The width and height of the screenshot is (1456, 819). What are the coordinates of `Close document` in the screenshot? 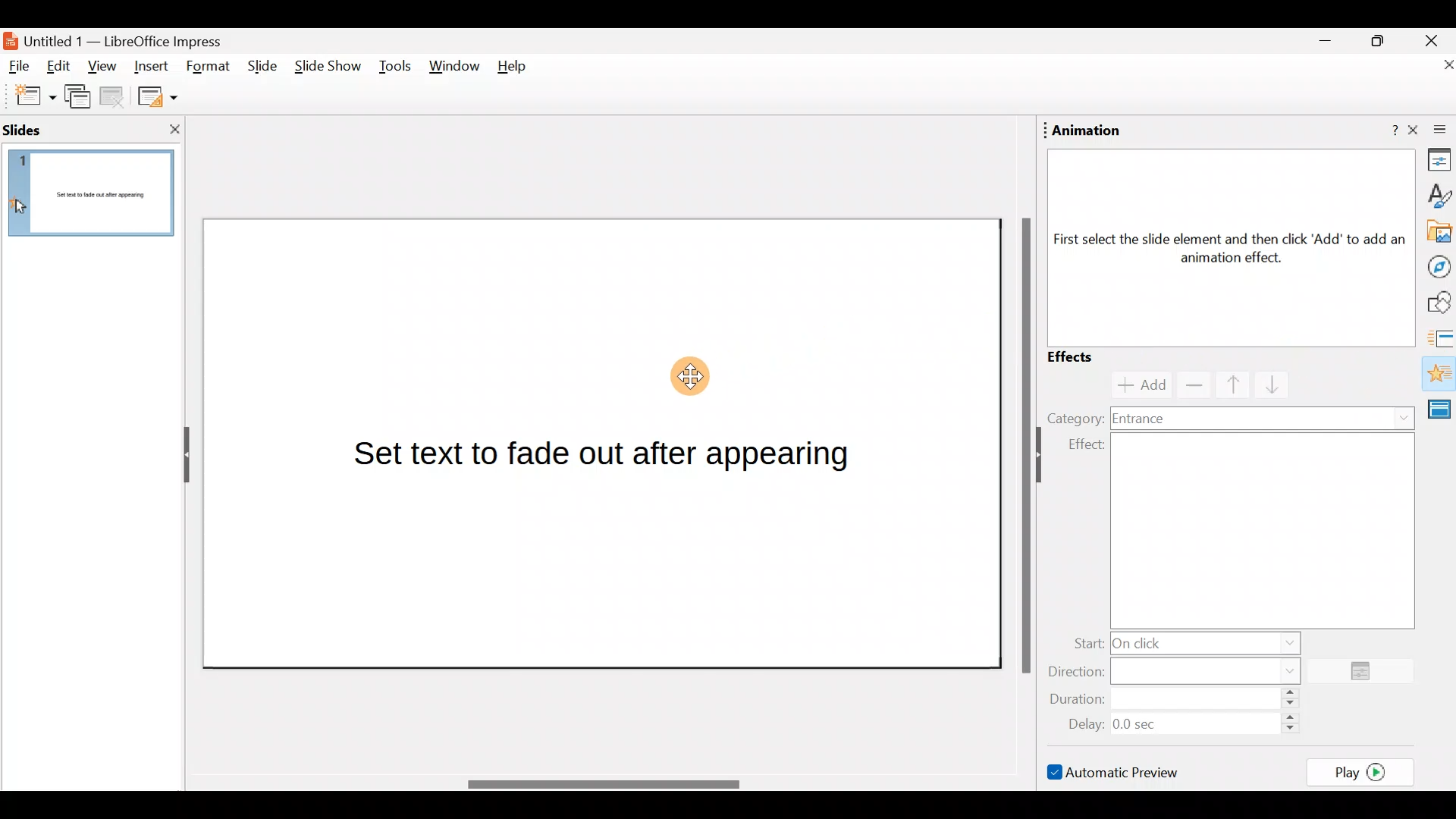 It's located at (1433, 66).